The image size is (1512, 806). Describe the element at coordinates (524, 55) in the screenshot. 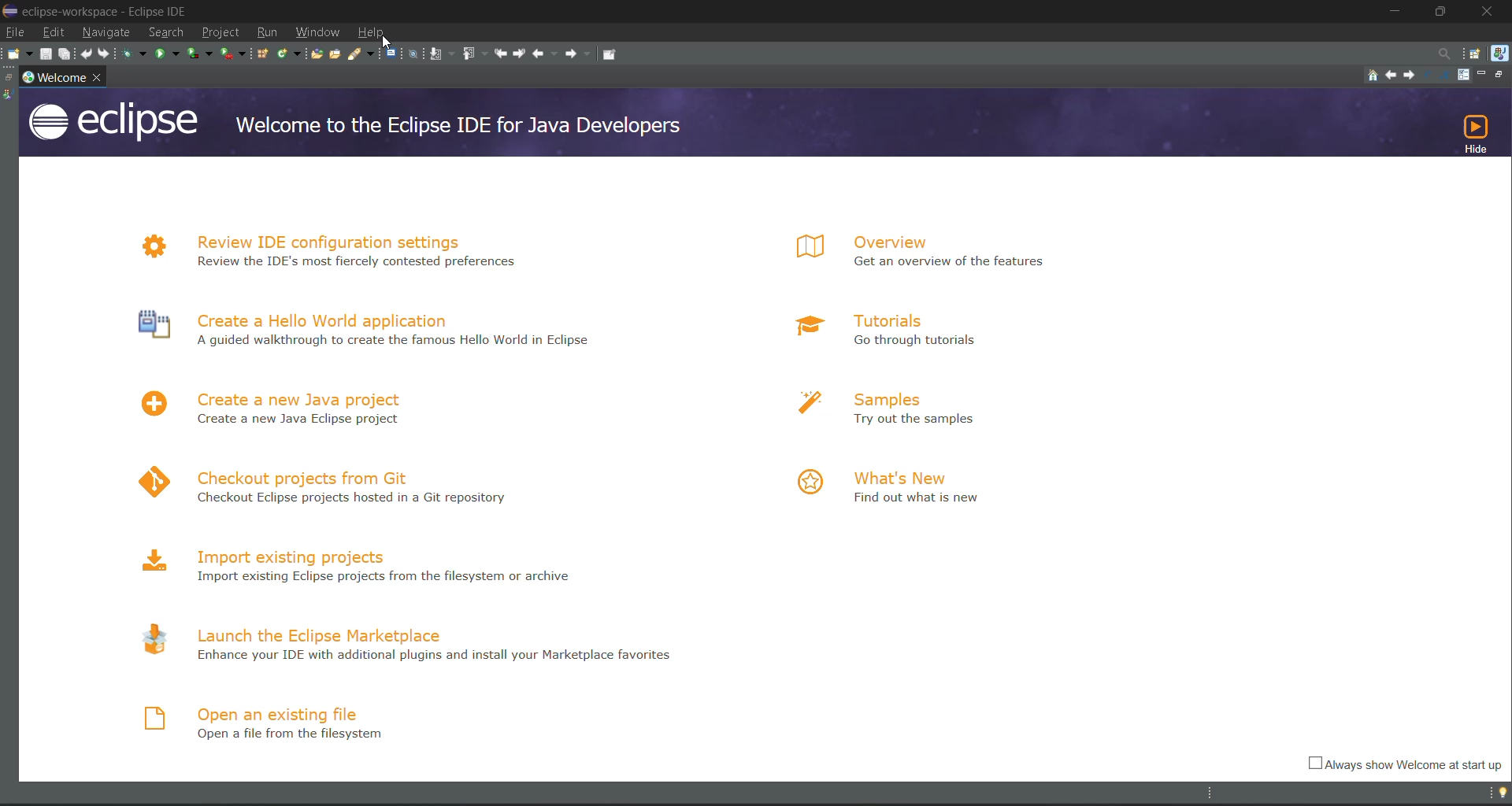

I see `next edit location` at that location.